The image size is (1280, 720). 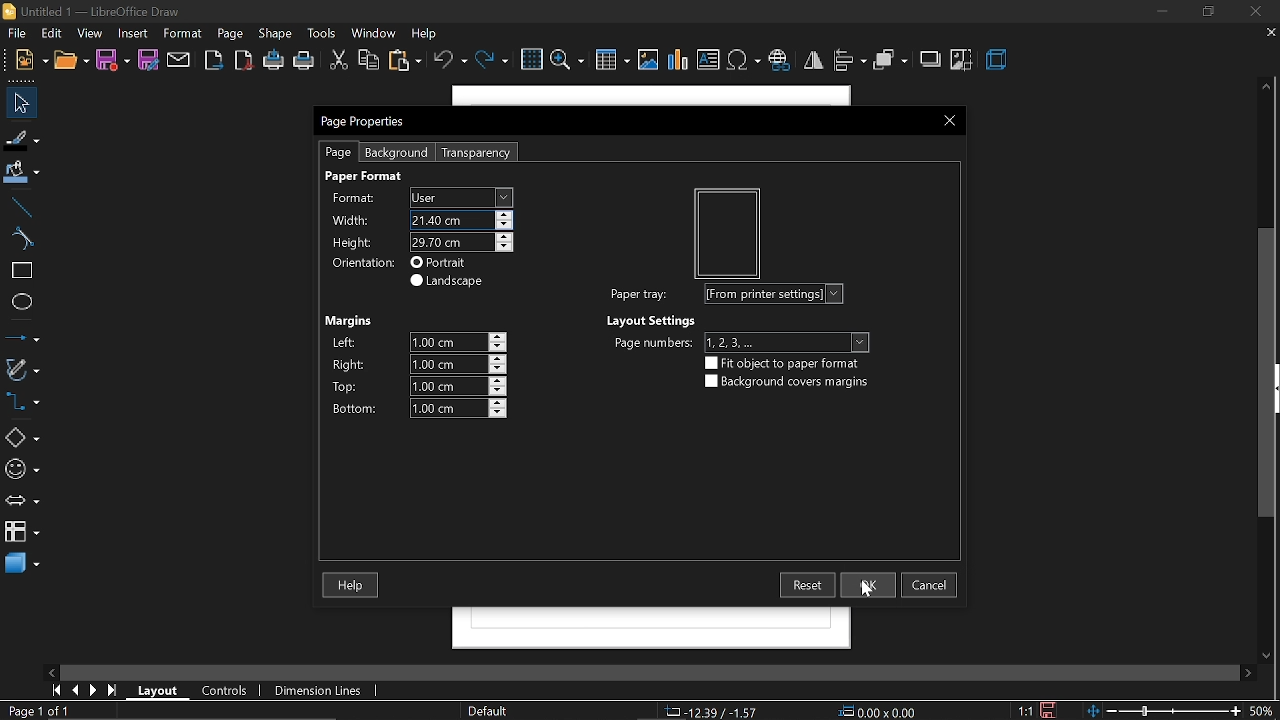 What do you see at coordinates (351, 363) in the screenshot?
I see `right margins` at bounding box center [351, 363].